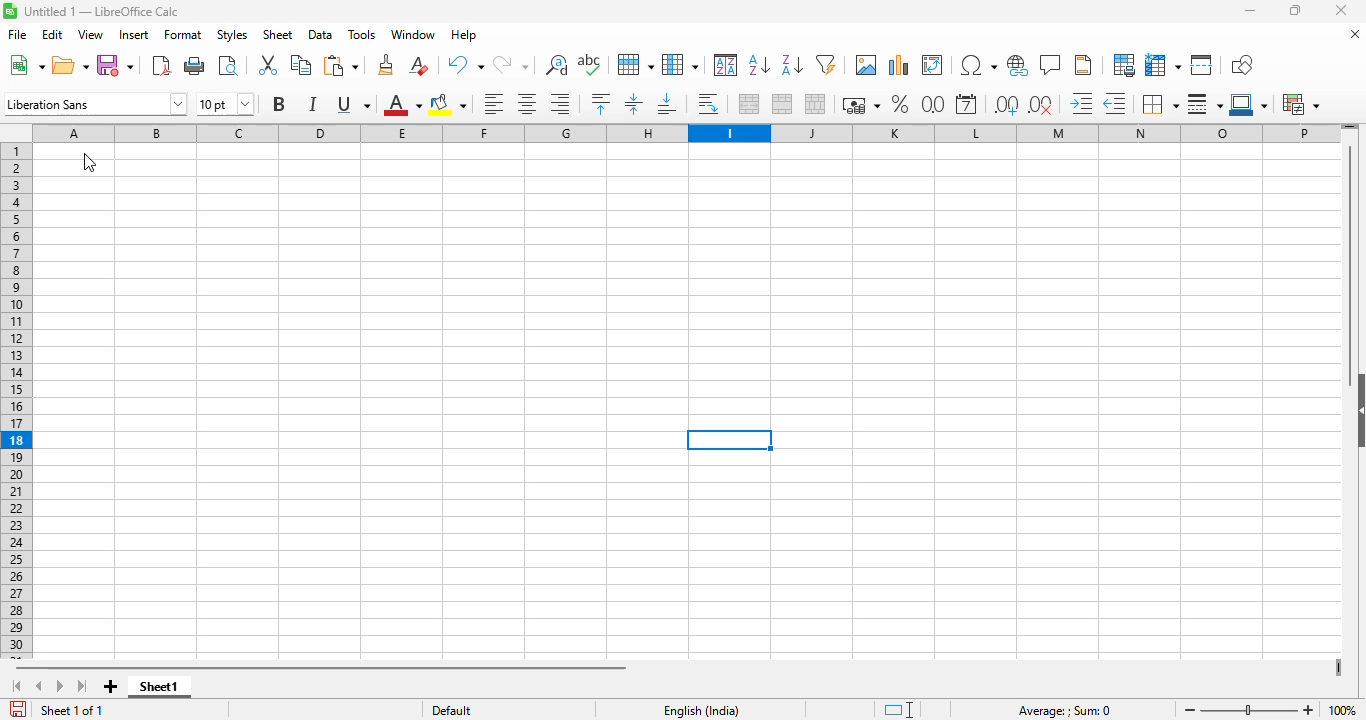 This screenshot has width=1366, height=720. I want to click on zoom in, so click(1308, 710).